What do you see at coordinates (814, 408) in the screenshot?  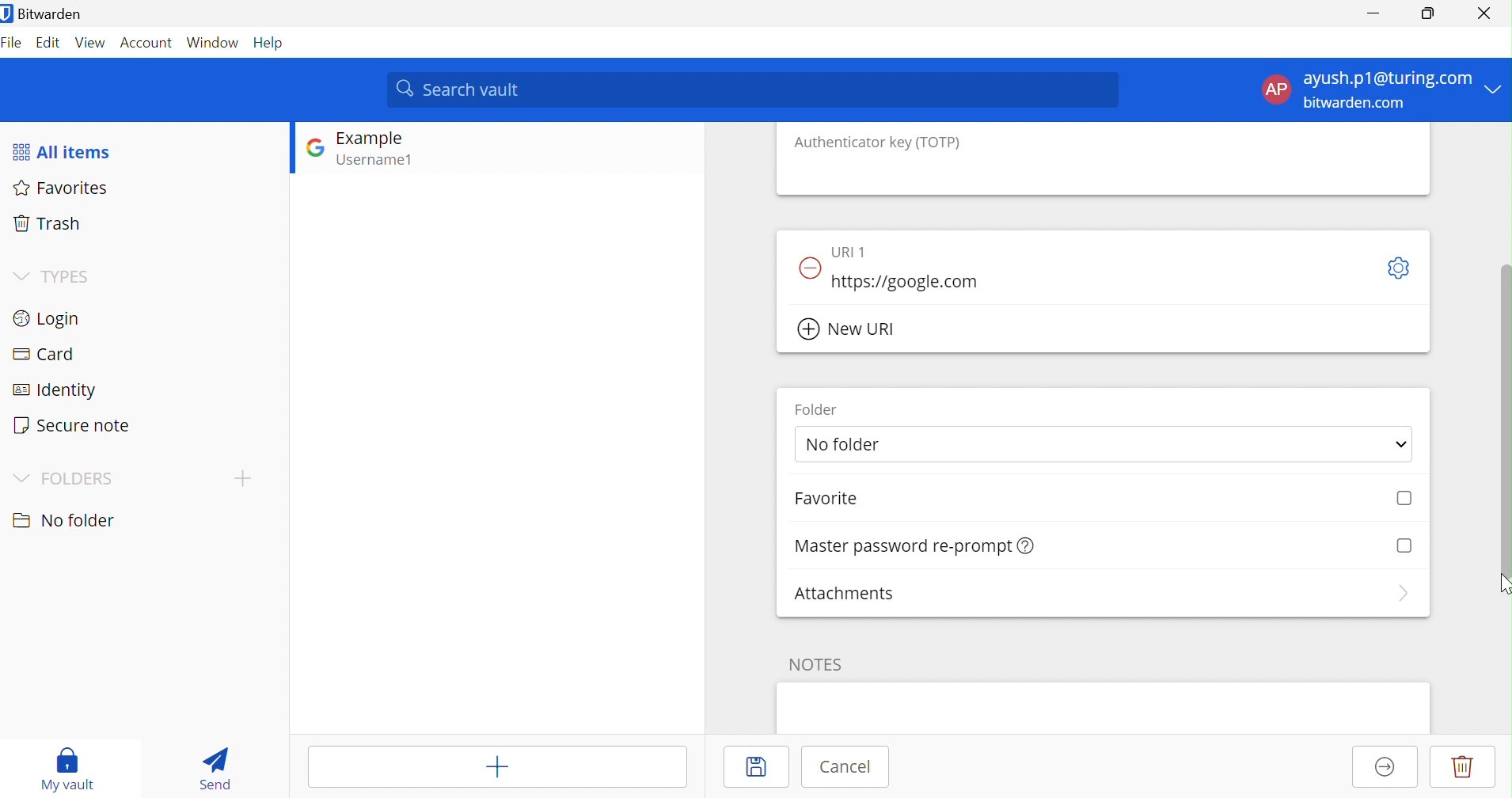 I see `Folder` at bounding box center [814, 408].